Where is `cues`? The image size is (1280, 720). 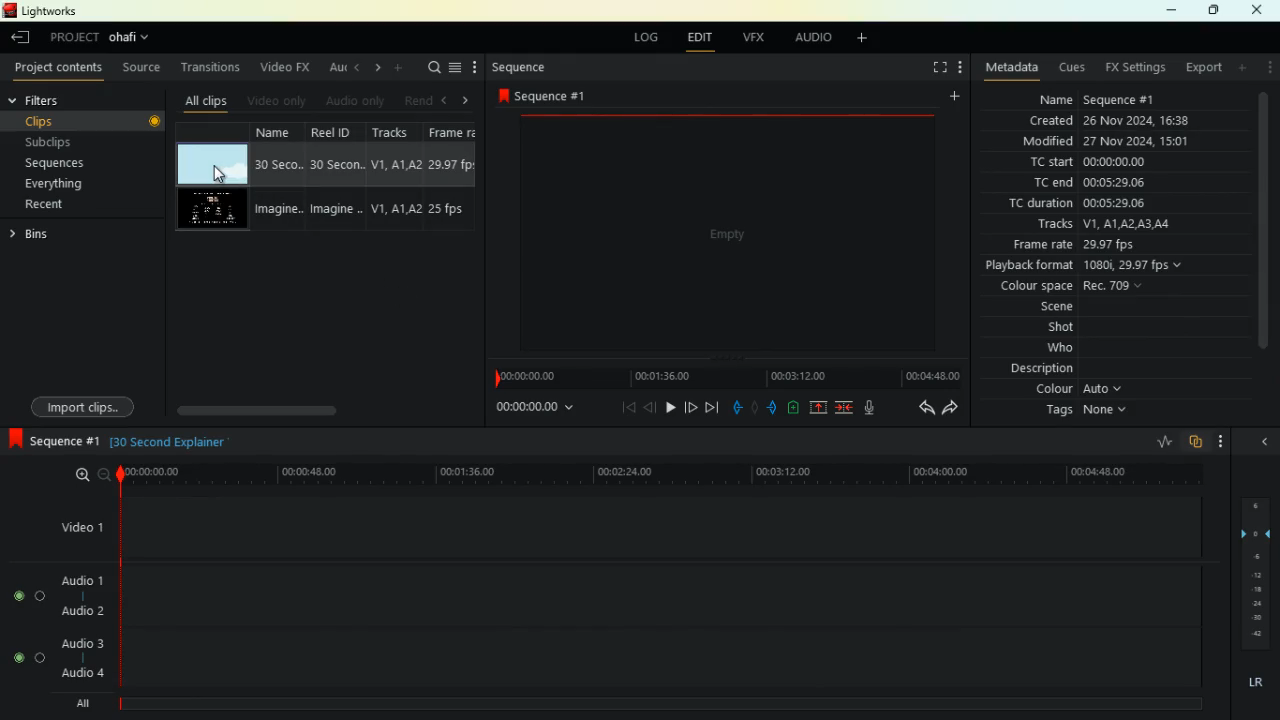 cues is located at coordinates (1069, 69).